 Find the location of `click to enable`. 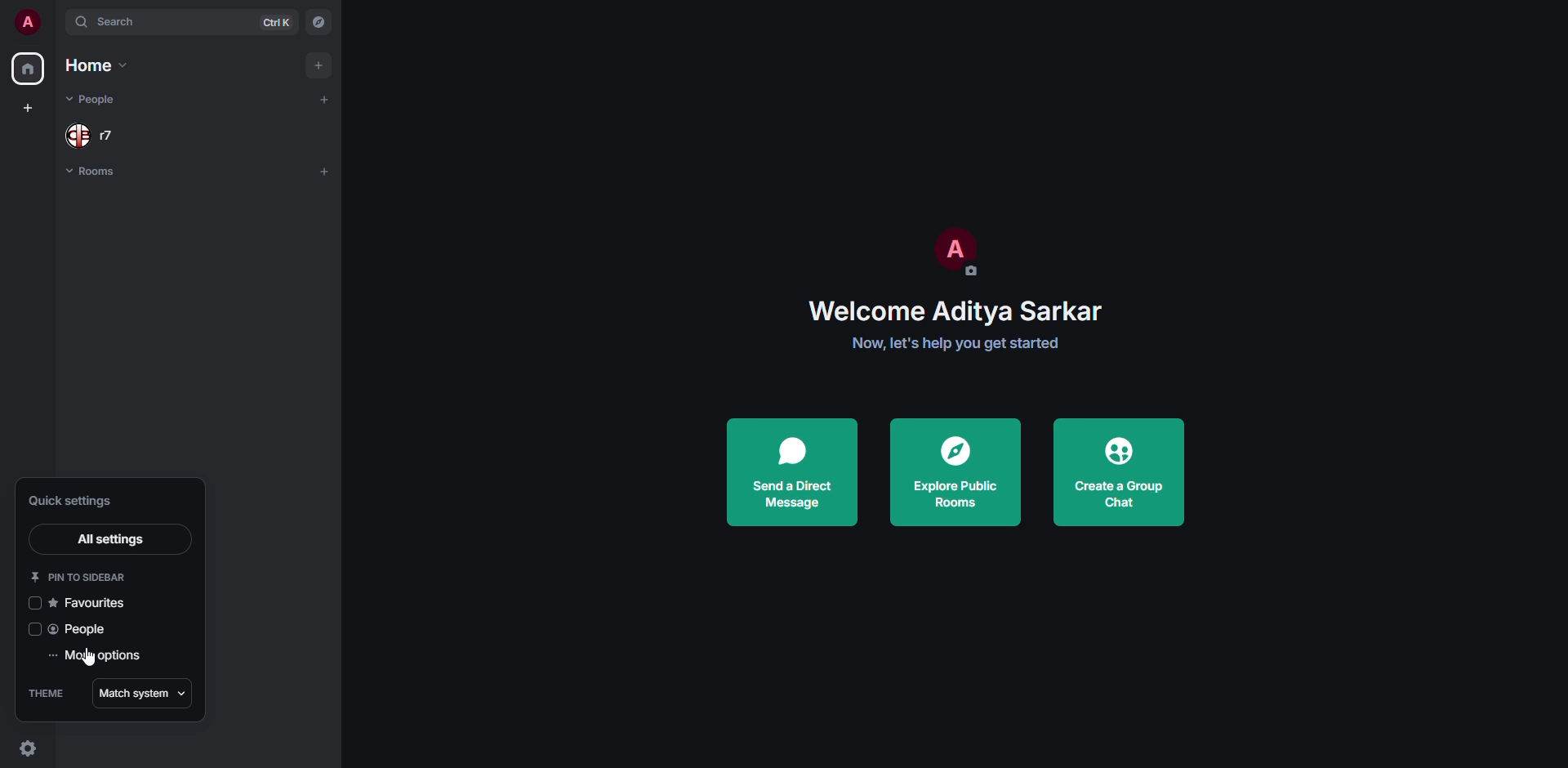

click to enable is located at coordinates (36, 603).